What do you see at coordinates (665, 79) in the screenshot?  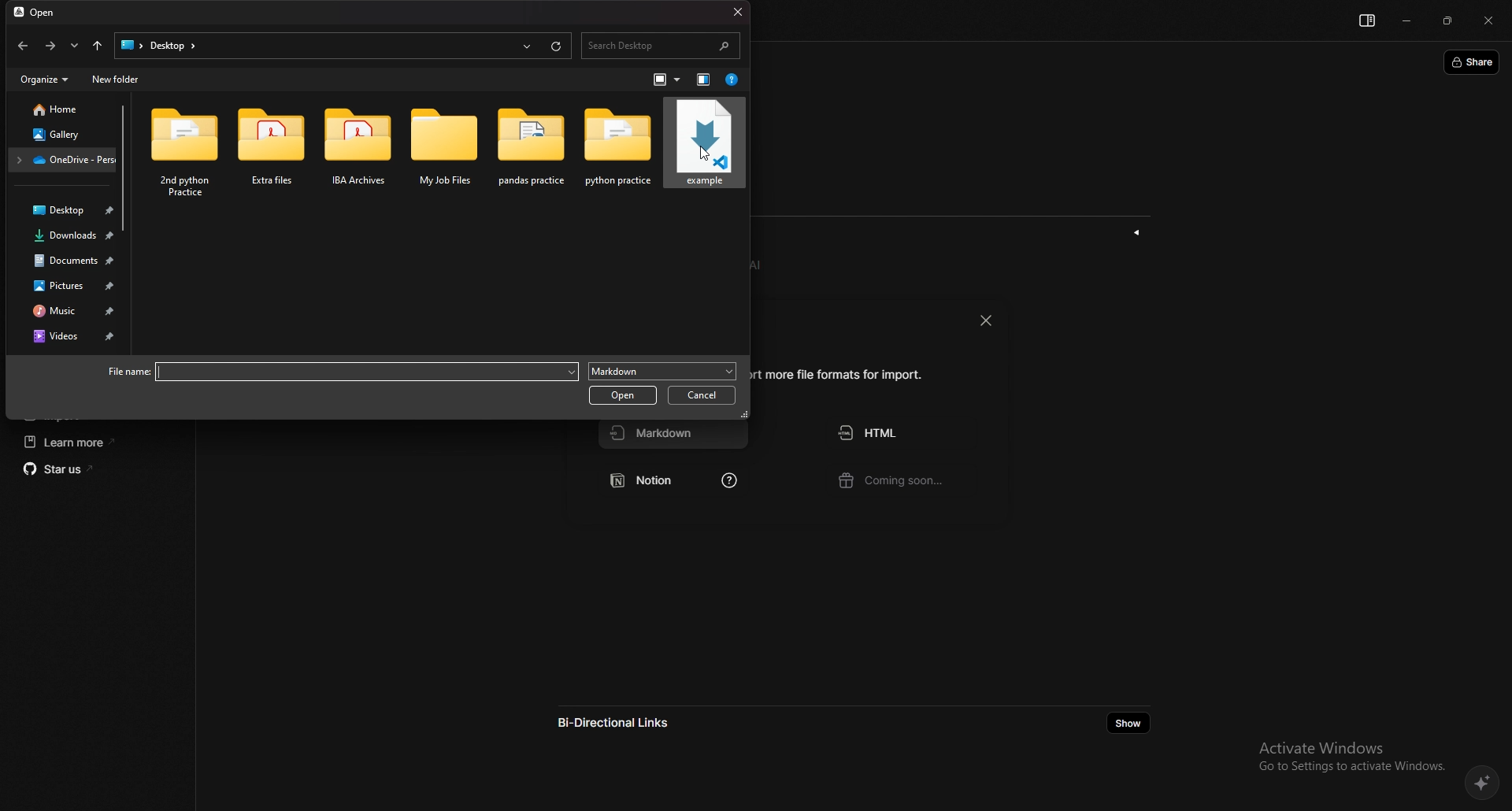 I see `change view` at bounding box center [665, 79].